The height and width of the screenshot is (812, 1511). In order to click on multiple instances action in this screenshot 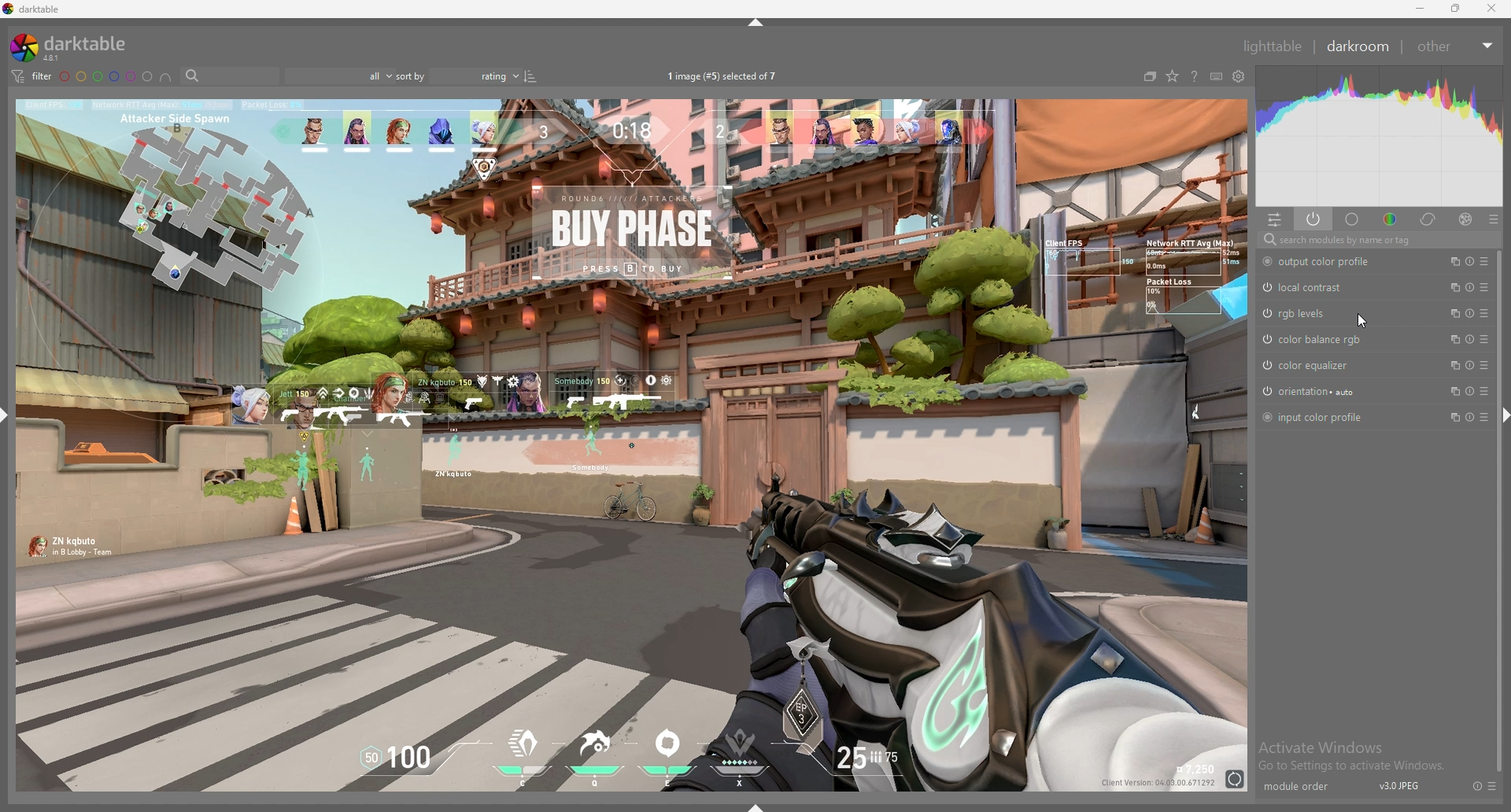, I will do `click(1450, 261)`.